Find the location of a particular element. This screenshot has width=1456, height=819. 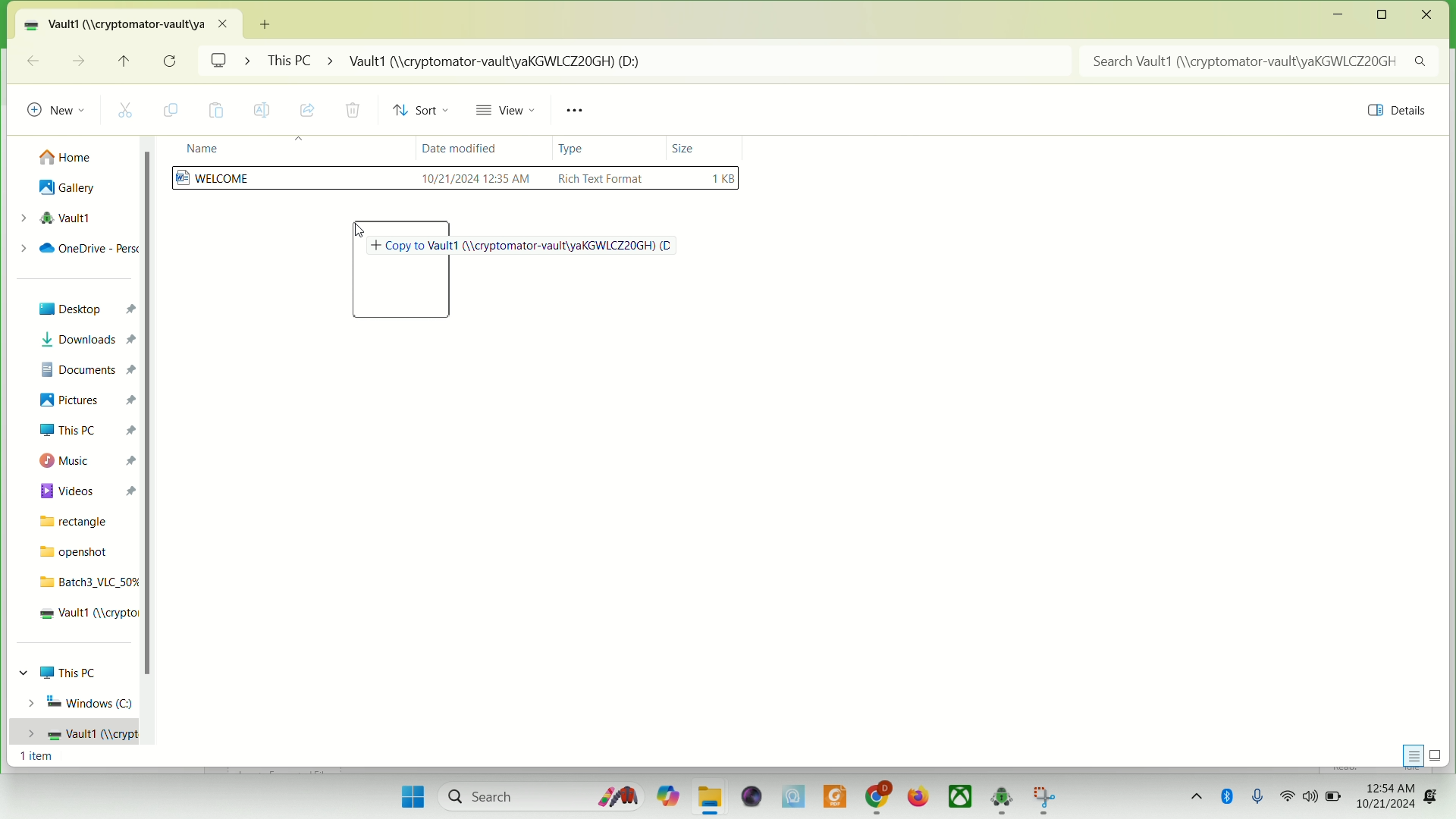

openshot is located at coordinates (71, 554).